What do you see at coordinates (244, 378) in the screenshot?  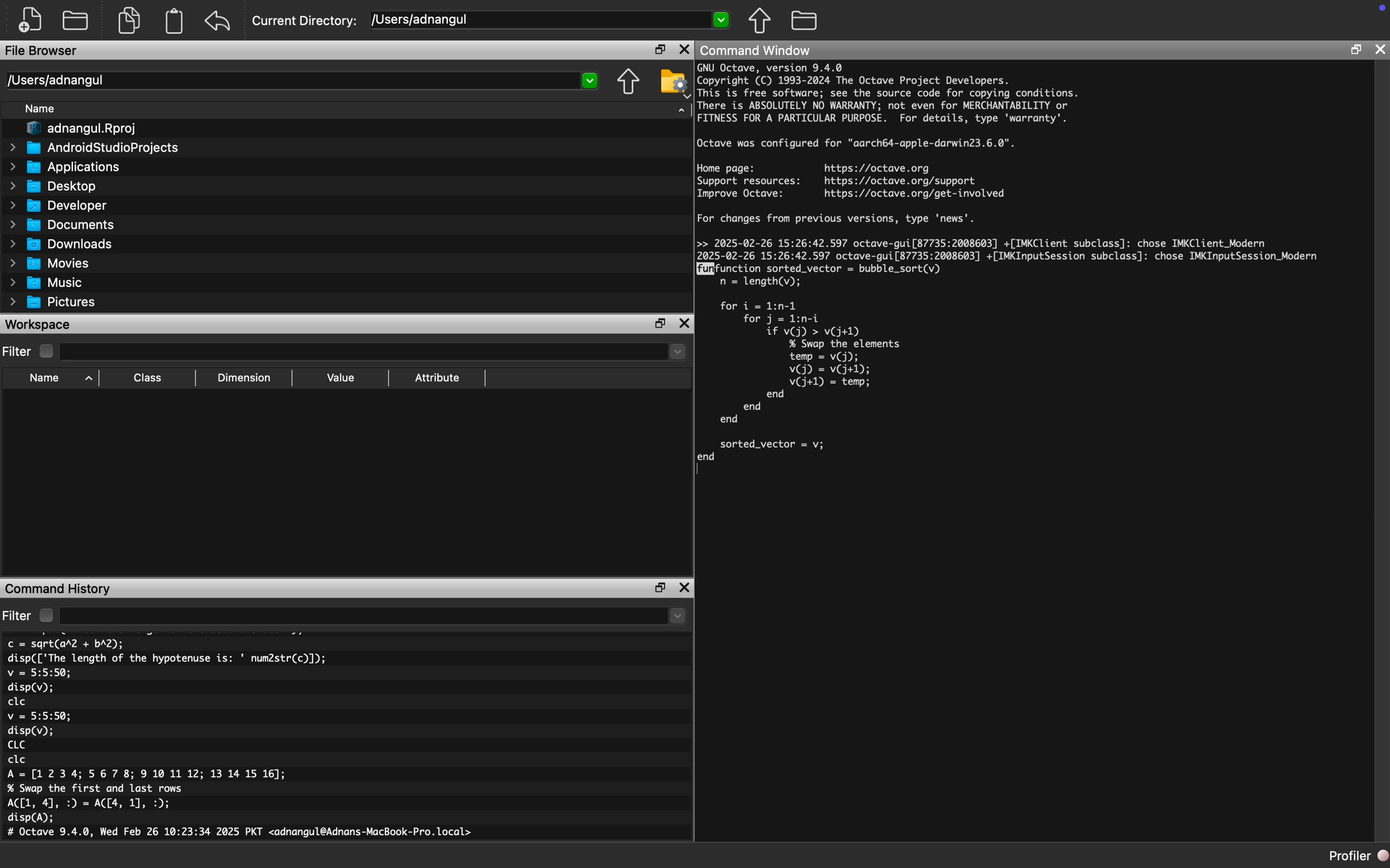 I see `Dimension` at bounding box center [244, 378].